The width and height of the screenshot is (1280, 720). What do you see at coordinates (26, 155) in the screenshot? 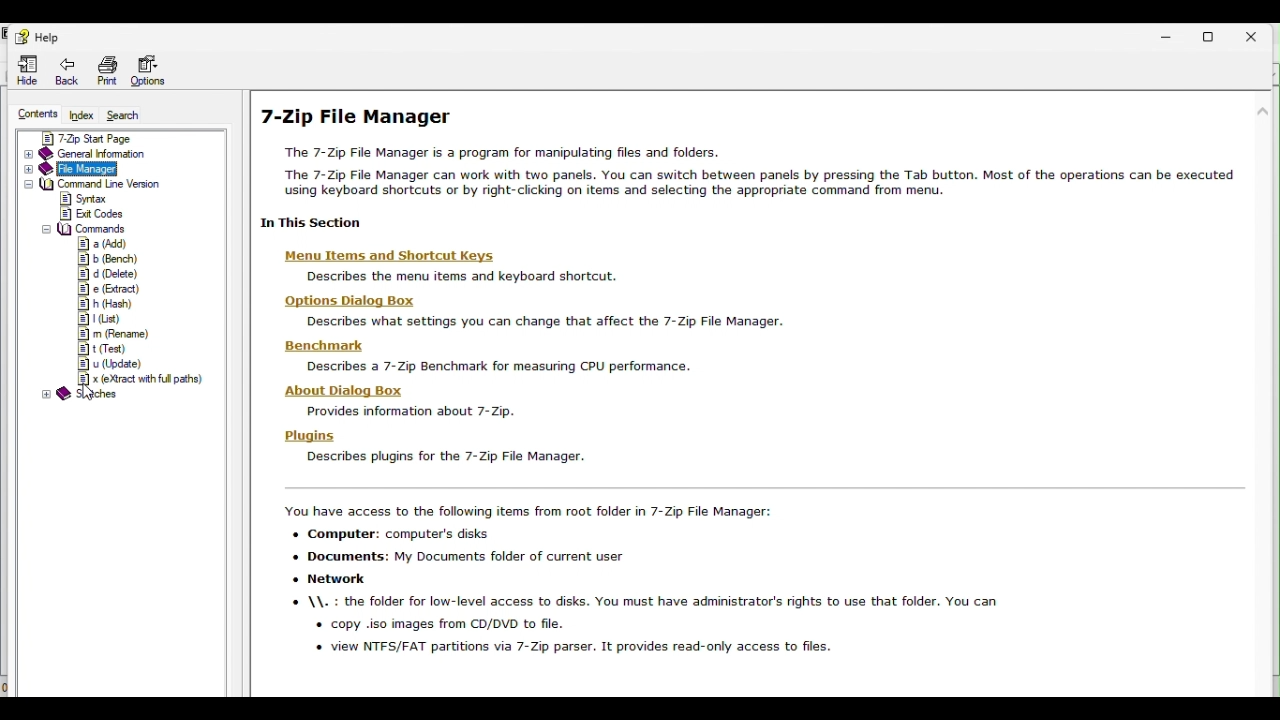
I see `expand` at bounding box center [26, 155].